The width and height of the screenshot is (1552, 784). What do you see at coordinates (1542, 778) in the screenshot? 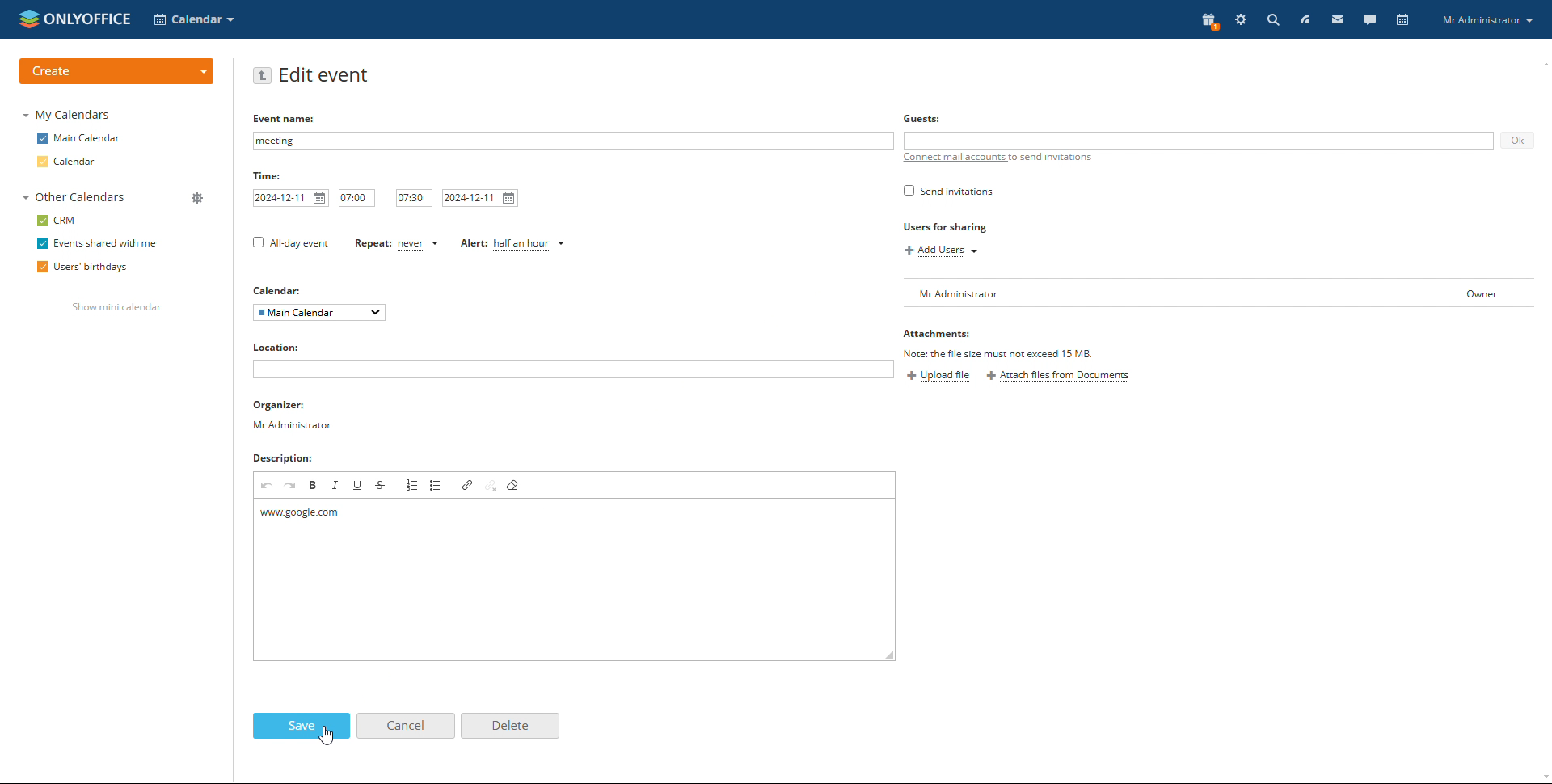
I see `scroll down` at bounding box center [1542, 778].